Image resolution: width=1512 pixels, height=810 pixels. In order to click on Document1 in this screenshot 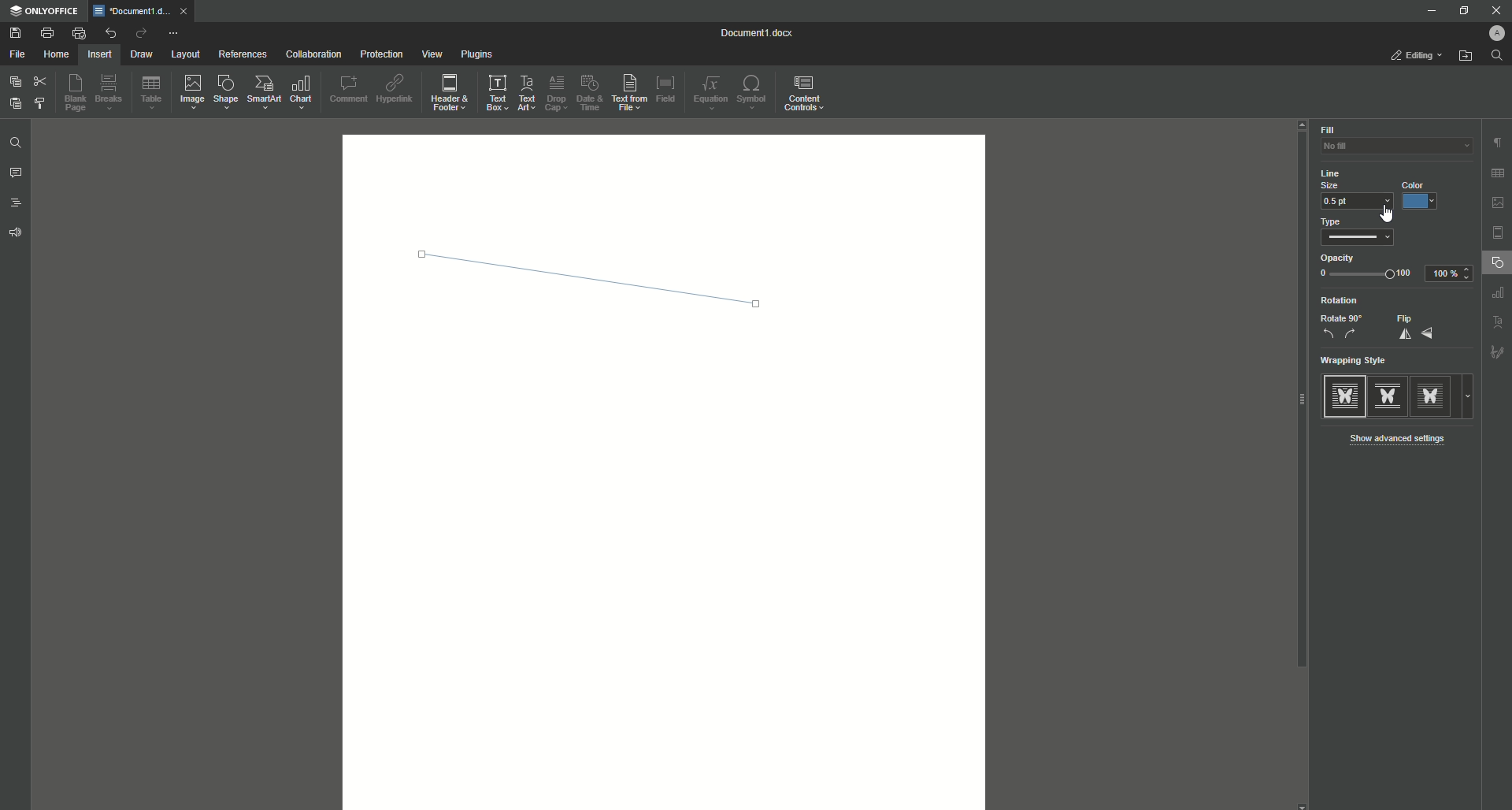, I will do `click(749, 32)`.